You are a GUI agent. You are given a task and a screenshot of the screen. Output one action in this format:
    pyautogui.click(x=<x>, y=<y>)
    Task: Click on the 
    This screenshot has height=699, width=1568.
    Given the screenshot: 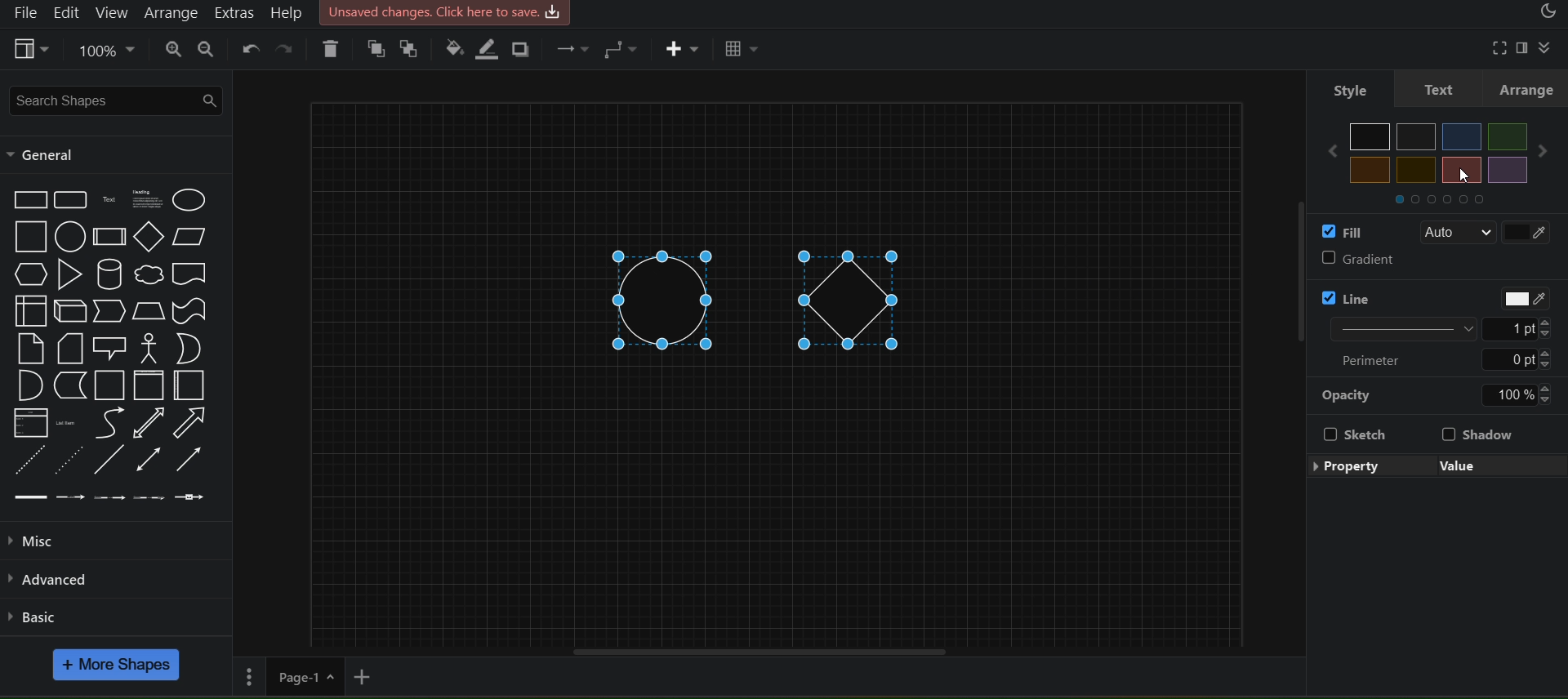 What is the action you would take?
    pyautogui.click(x=1550, y=151)
    